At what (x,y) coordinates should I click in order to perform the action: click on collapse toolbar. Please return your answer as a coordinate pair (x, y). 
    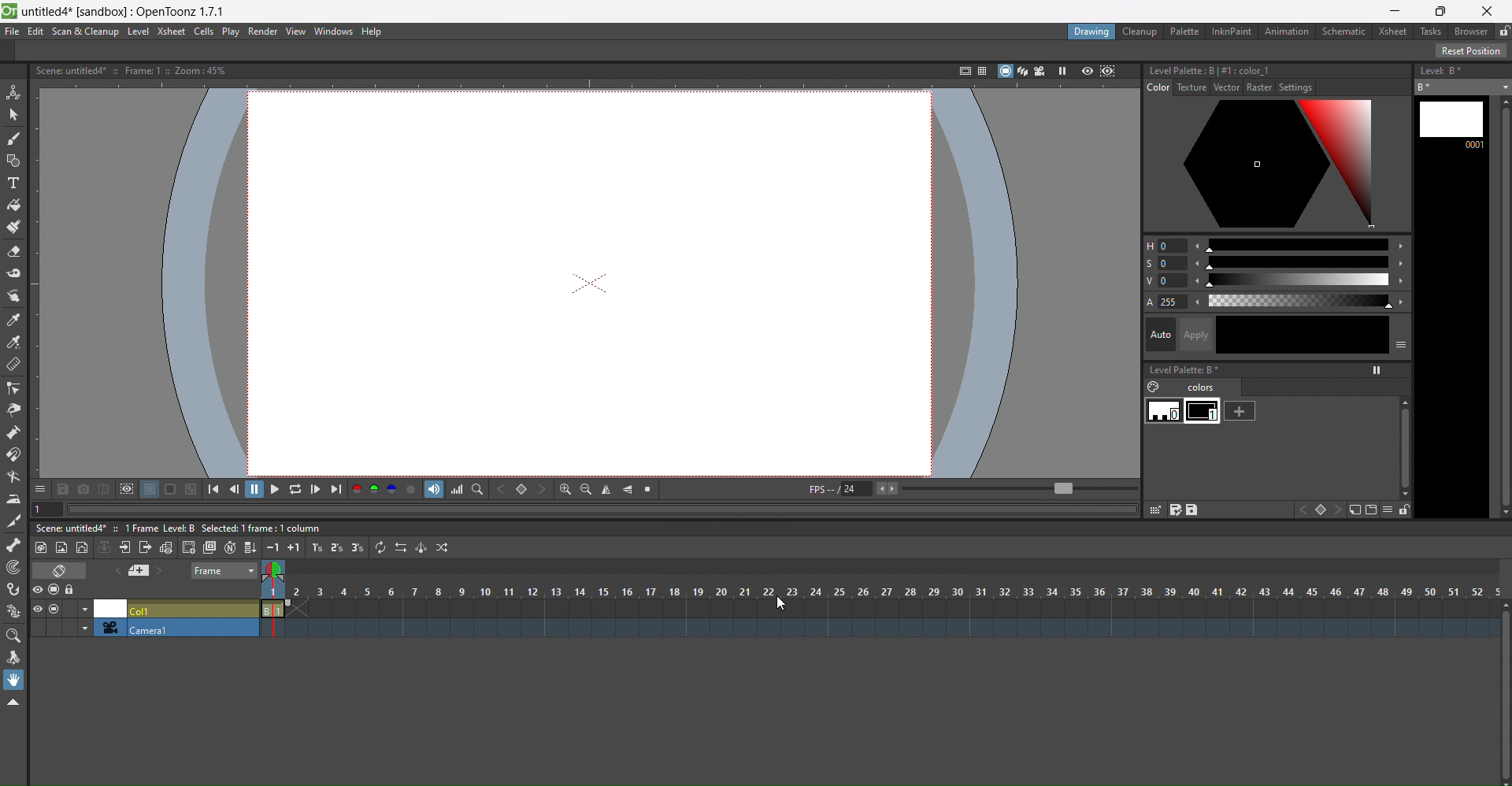
    Looking at the image, I should click on (13, 703).